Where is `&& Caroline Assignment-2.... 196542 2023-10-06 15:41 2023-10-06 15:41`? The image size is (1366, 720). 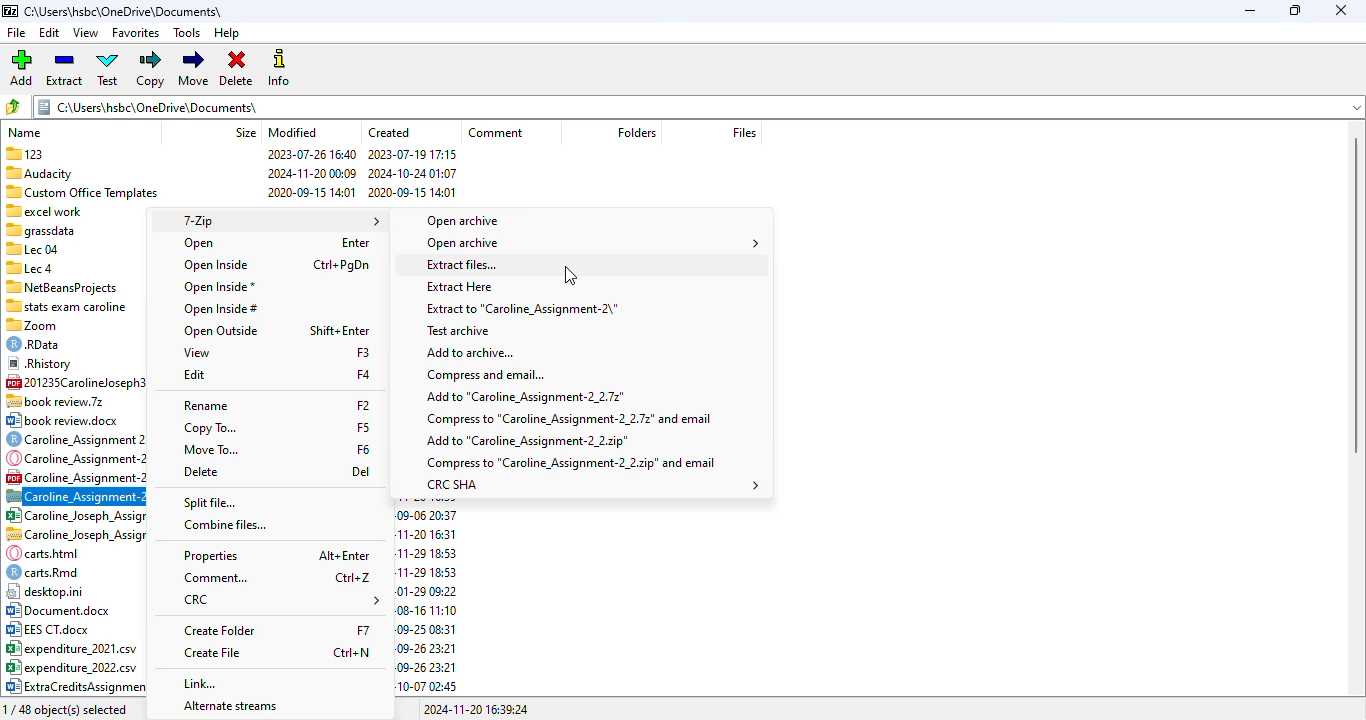
&& Caroline Assignment-2.... 196542 2023-10-06 15:41 2023-10-06 15:41 is located at coordinates (76, 477).